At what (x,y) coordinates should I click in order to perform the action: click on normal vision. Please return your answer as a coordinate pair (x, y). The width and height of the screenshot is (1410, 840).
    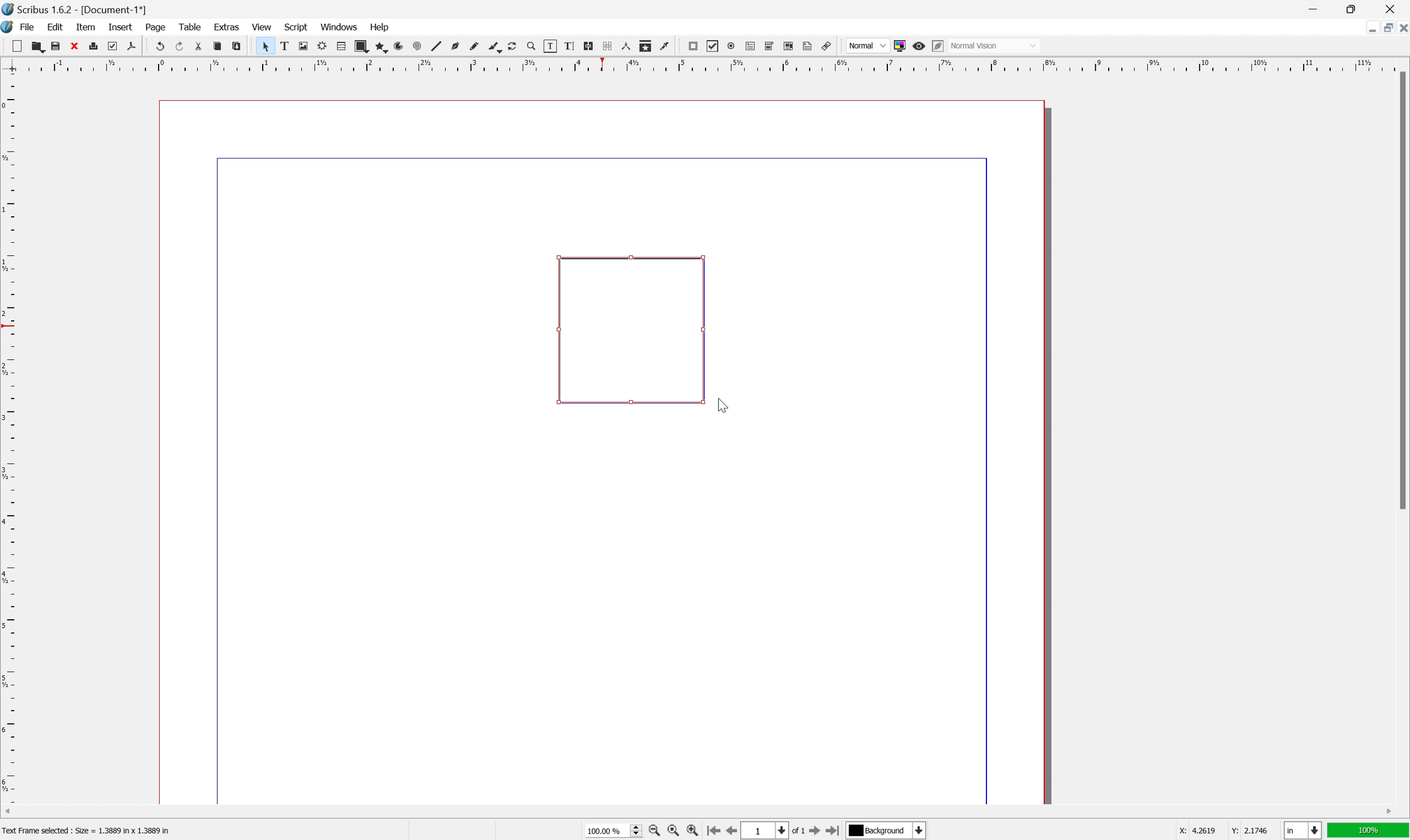
    Looking at the image, I should click on (993, 45).